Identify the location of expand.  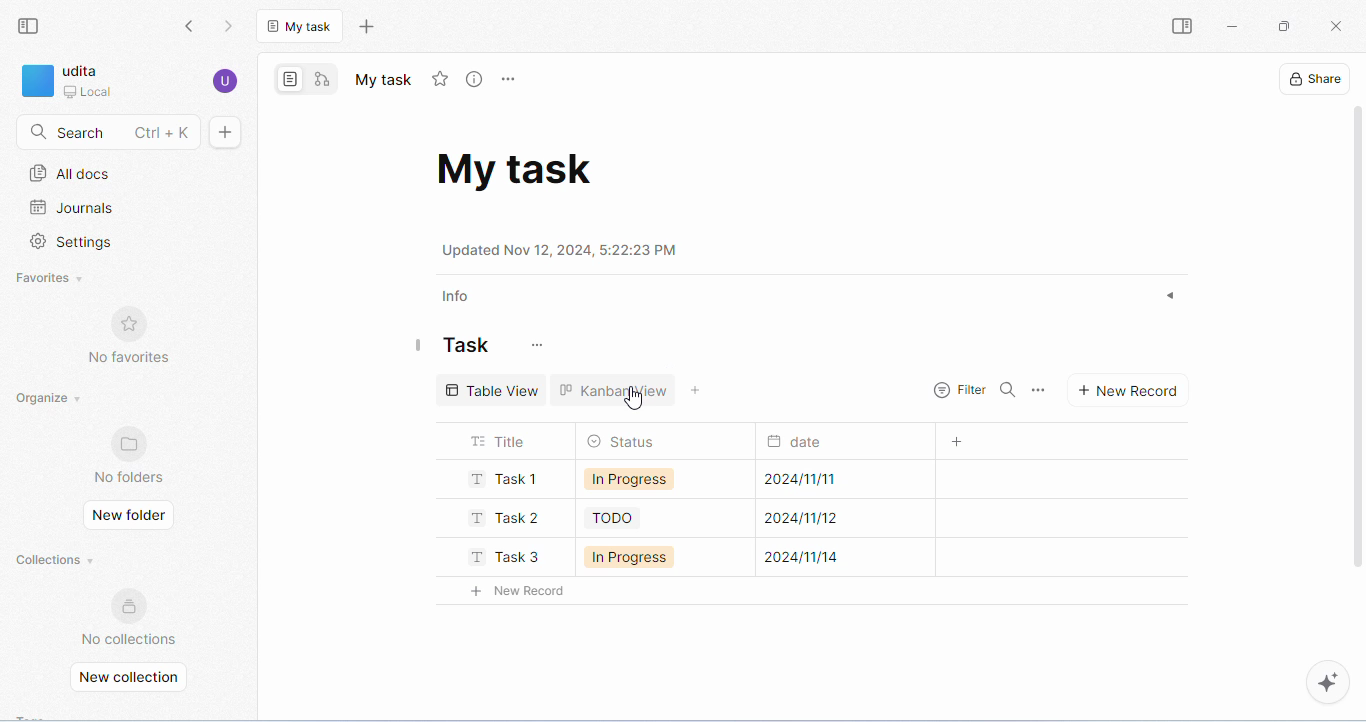
(1170, 297).